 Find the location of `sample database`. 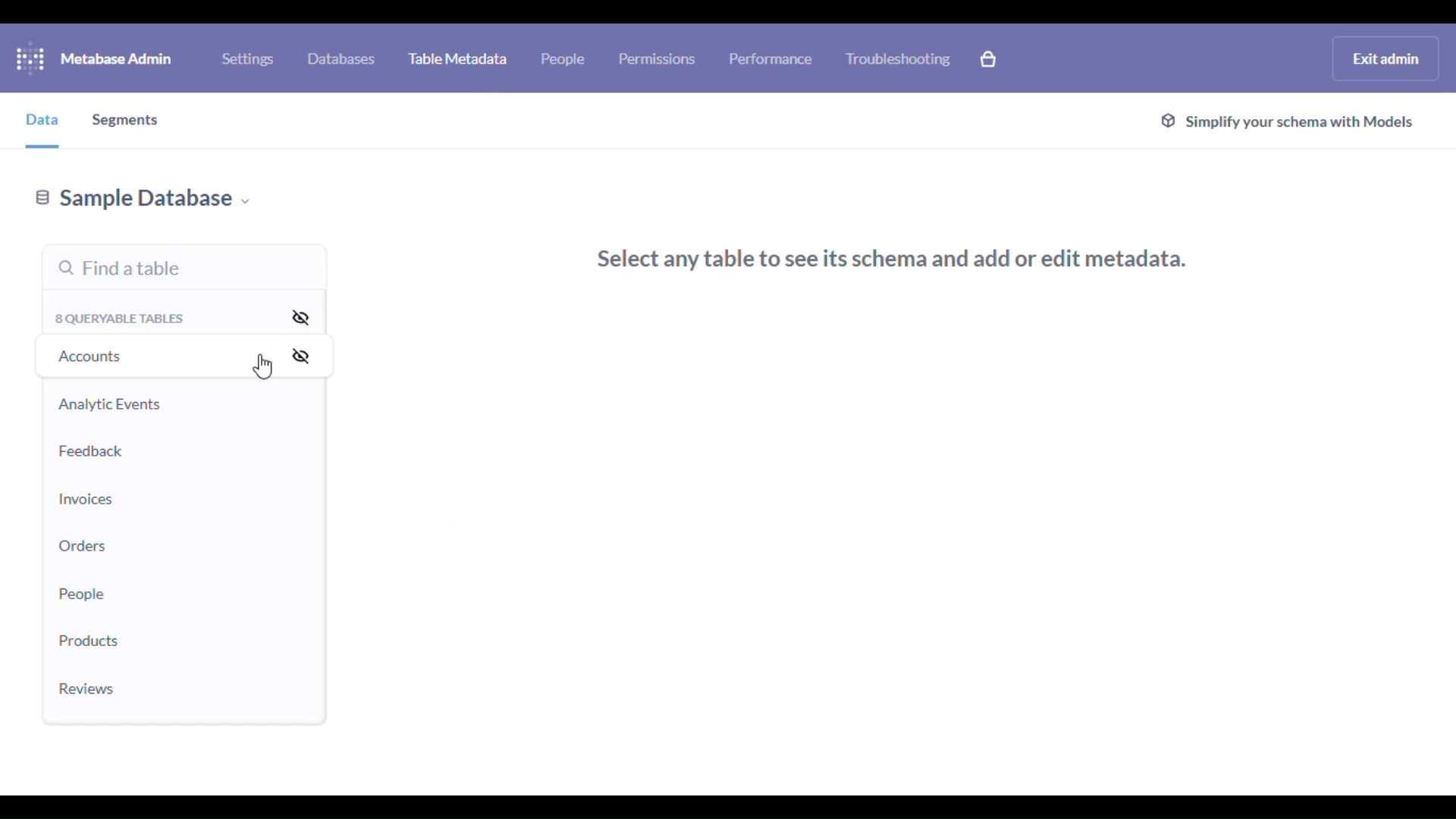

sample database is located at coordinates (143, 200).